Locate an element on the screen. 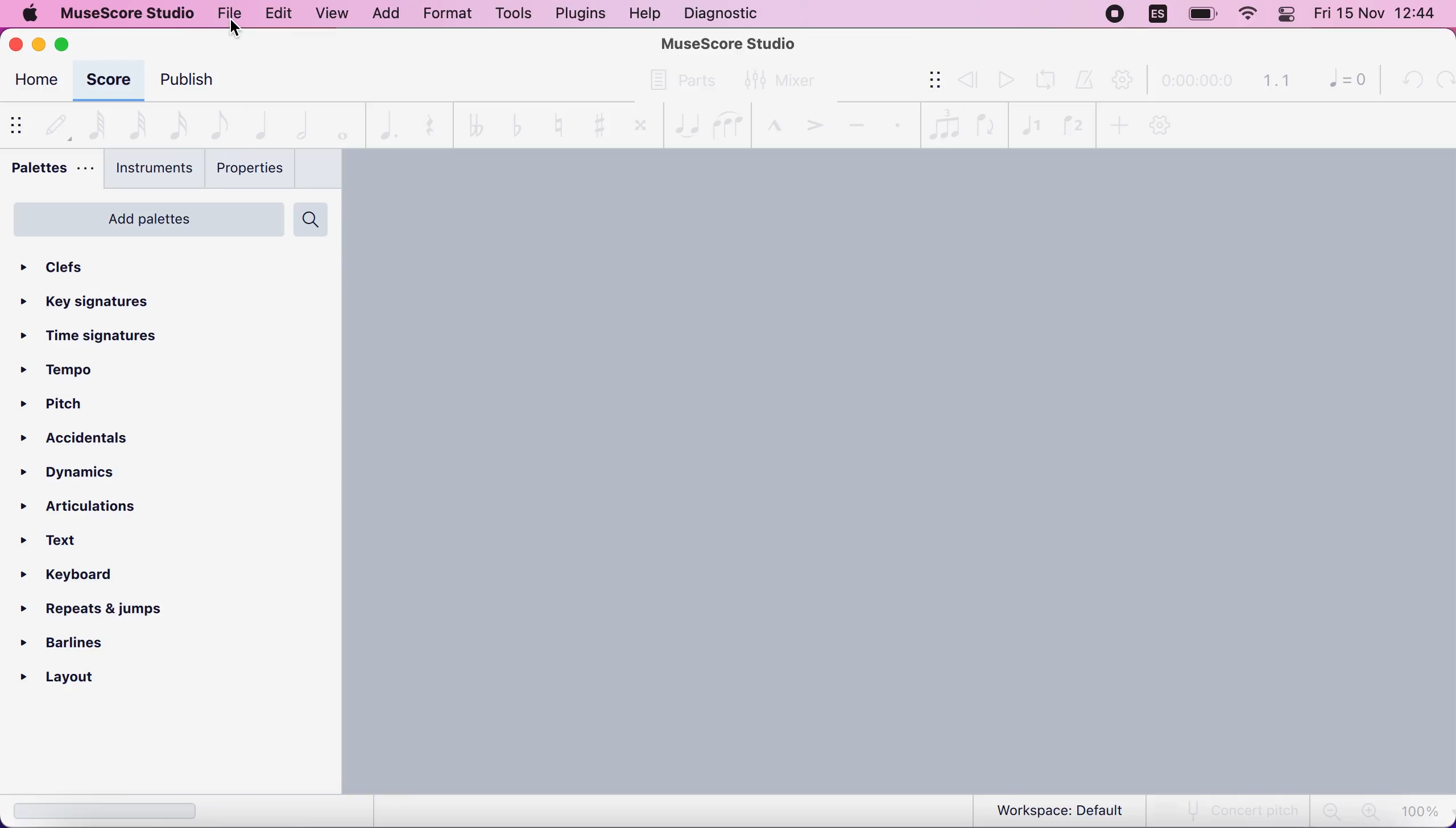 This screenshot has height=828, width=1456. text is located at coordinates (64, 541).